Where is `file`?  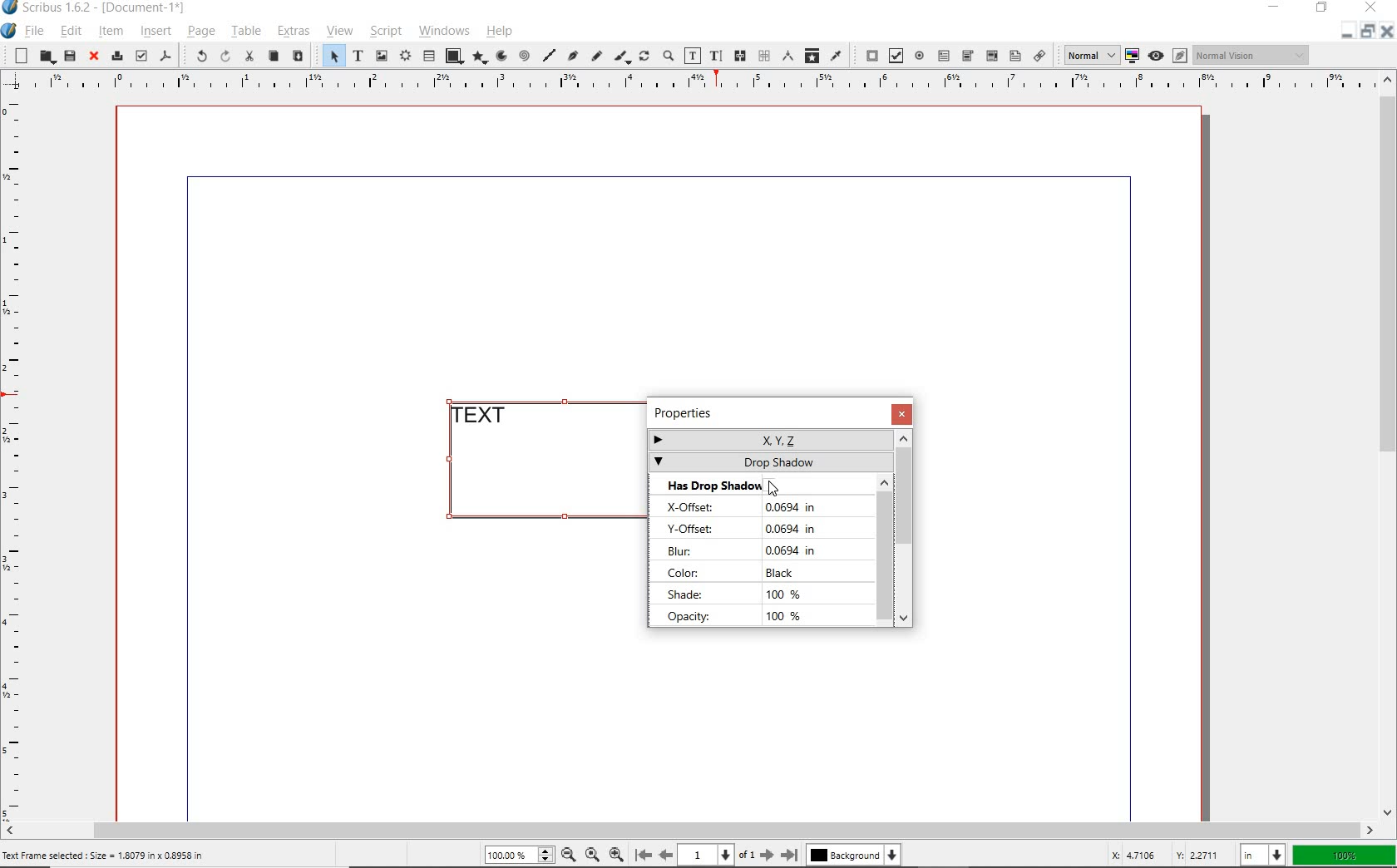
file is located at coordinates (34, 31).